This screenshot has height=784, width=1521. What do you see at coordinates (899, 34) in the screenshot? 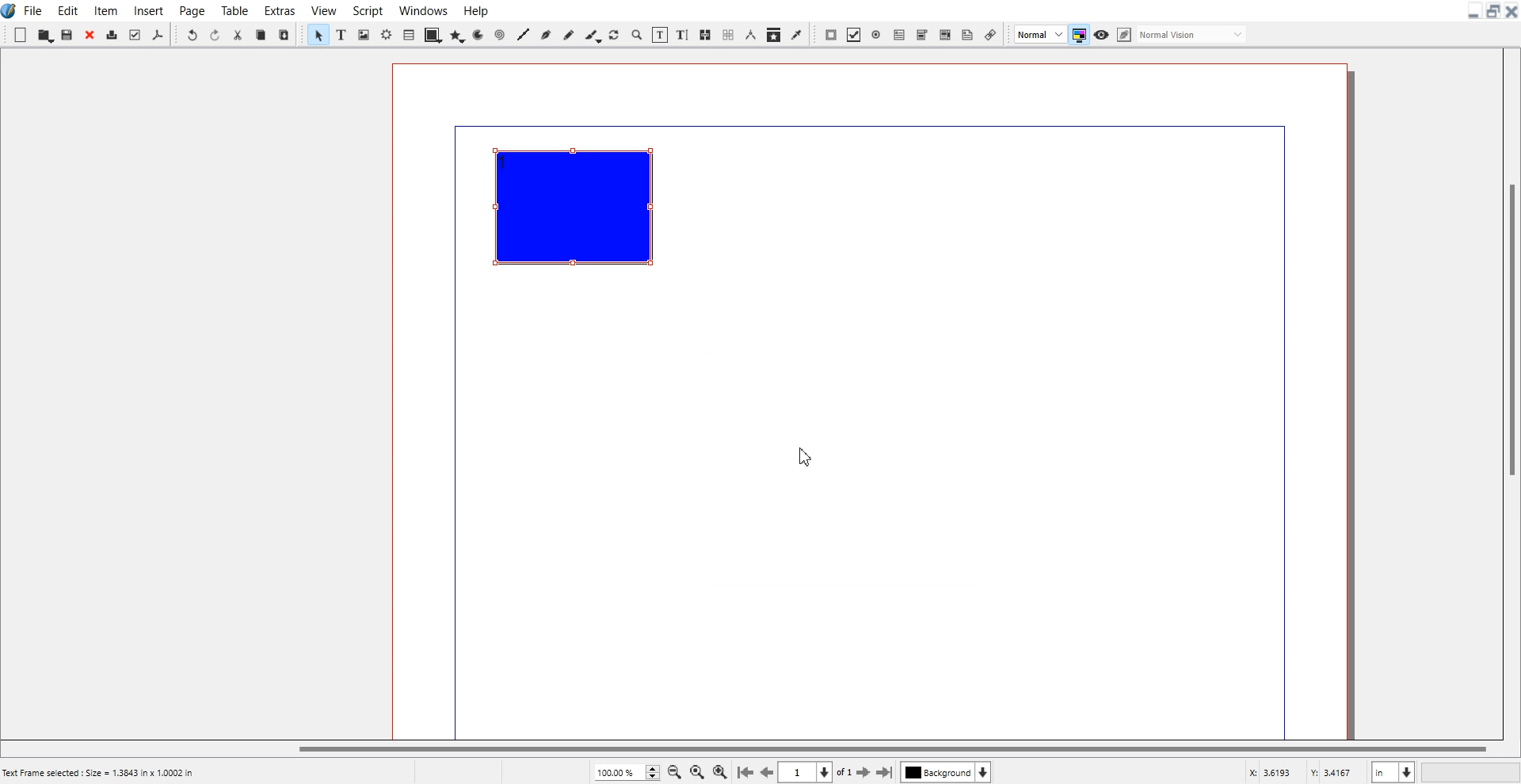
I see `PDF Text Field` at bounding box center [899, 34].